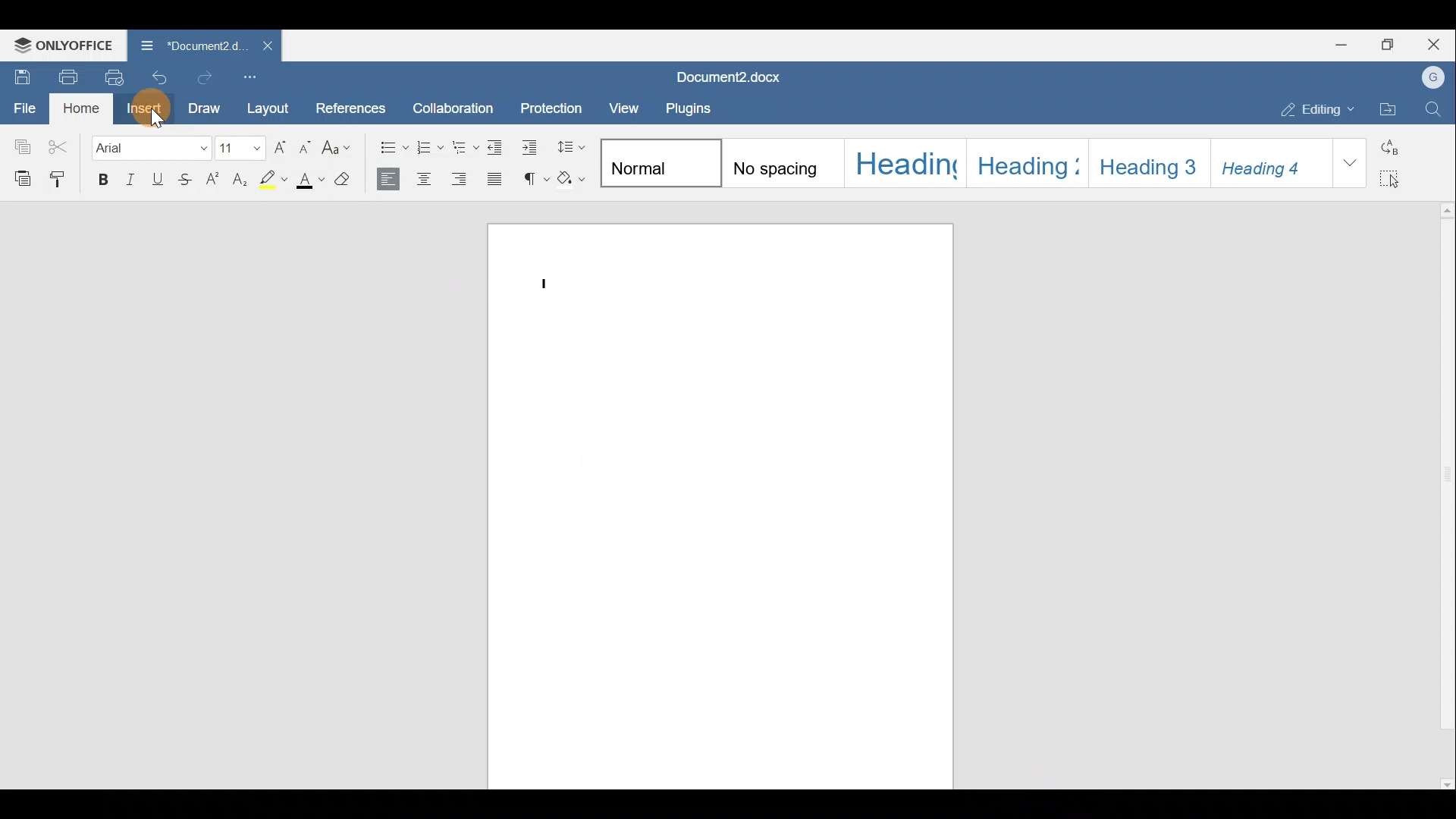  What do you see at coordinates (64, 178) in the screenshot?
I see `Copy style` at bounding box center [64, 178].